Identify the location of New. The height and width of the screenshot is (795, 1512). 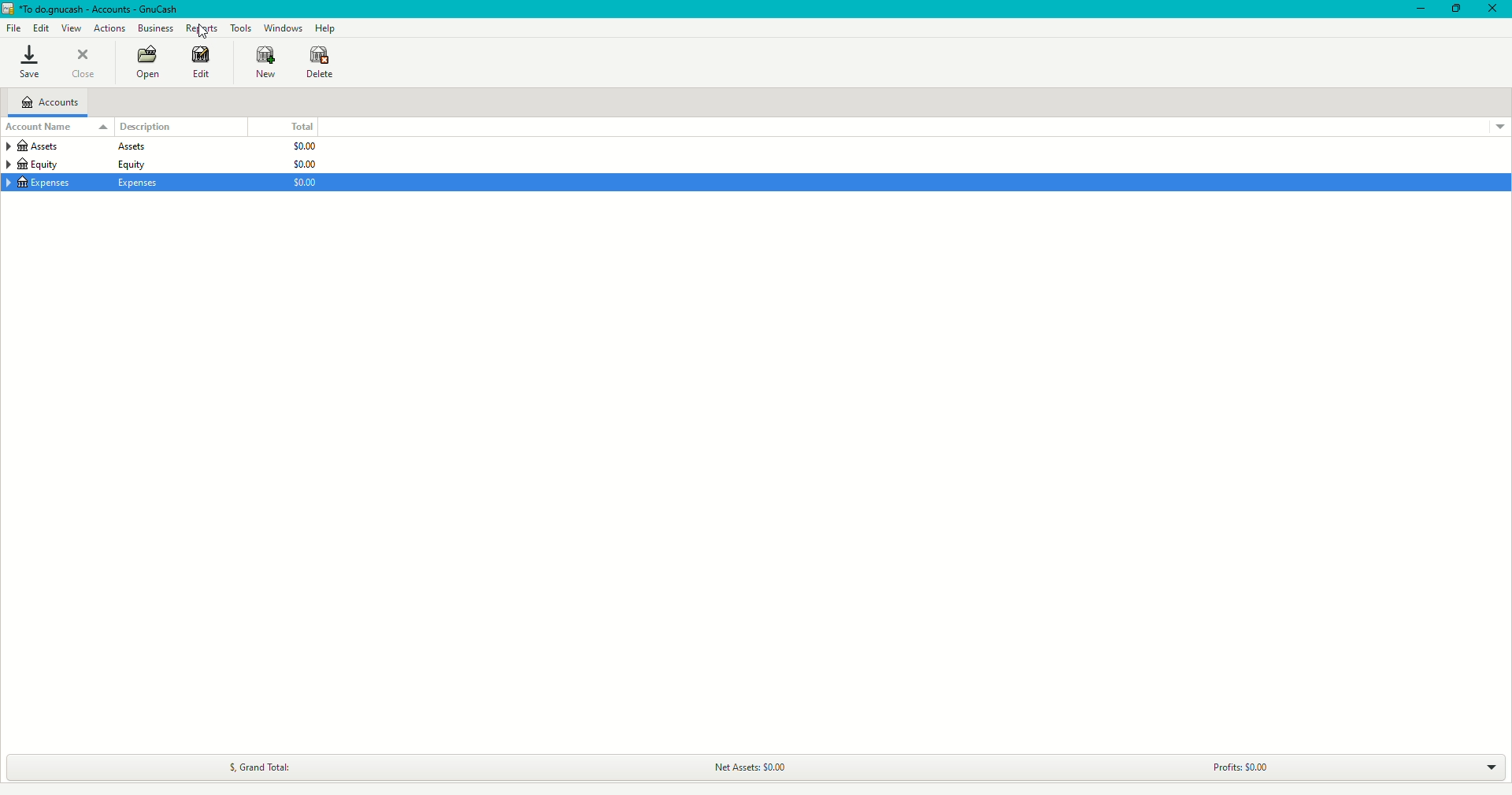
(264, 63).